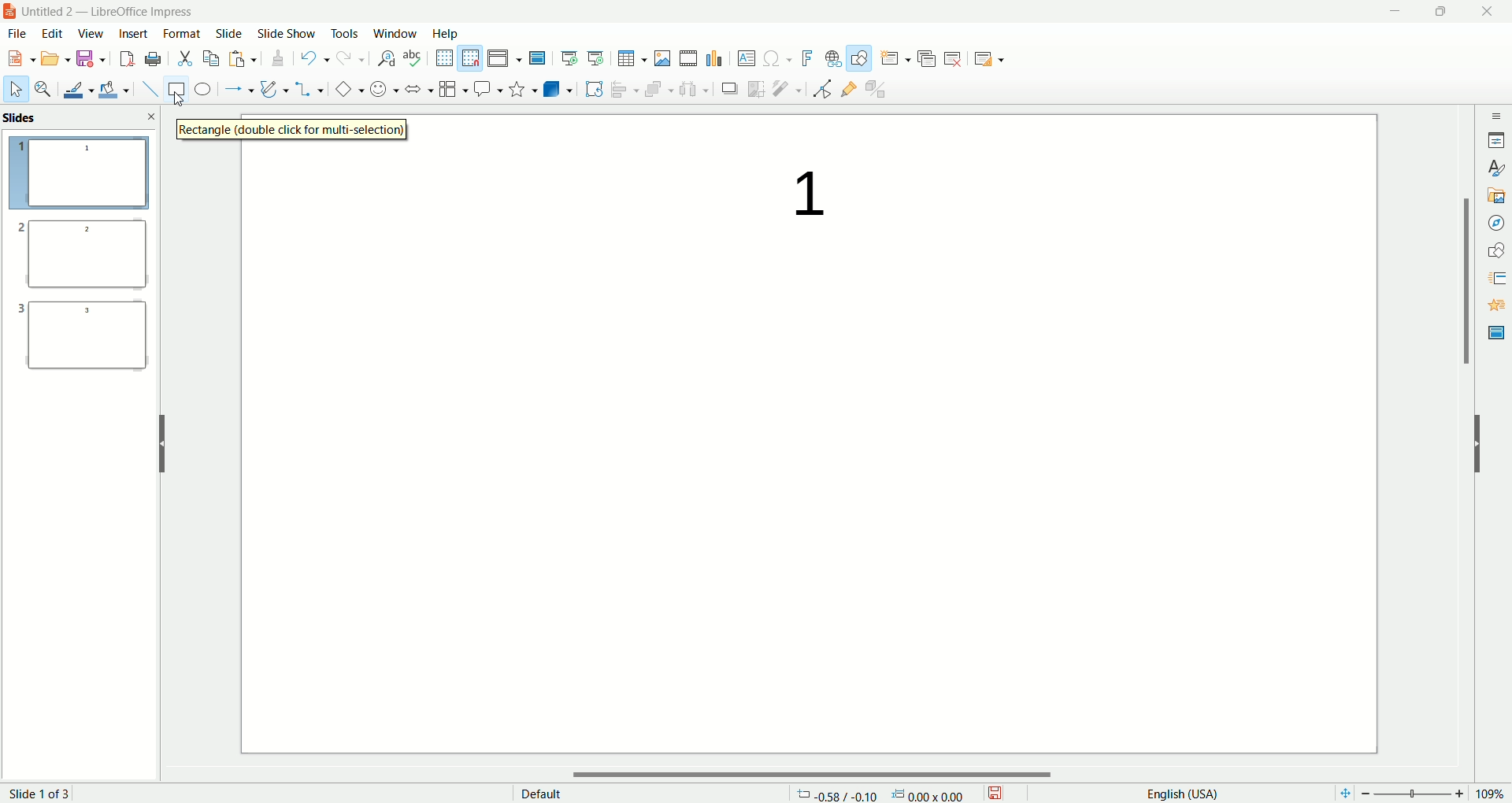  I want to click on redo, so click(348, 61).